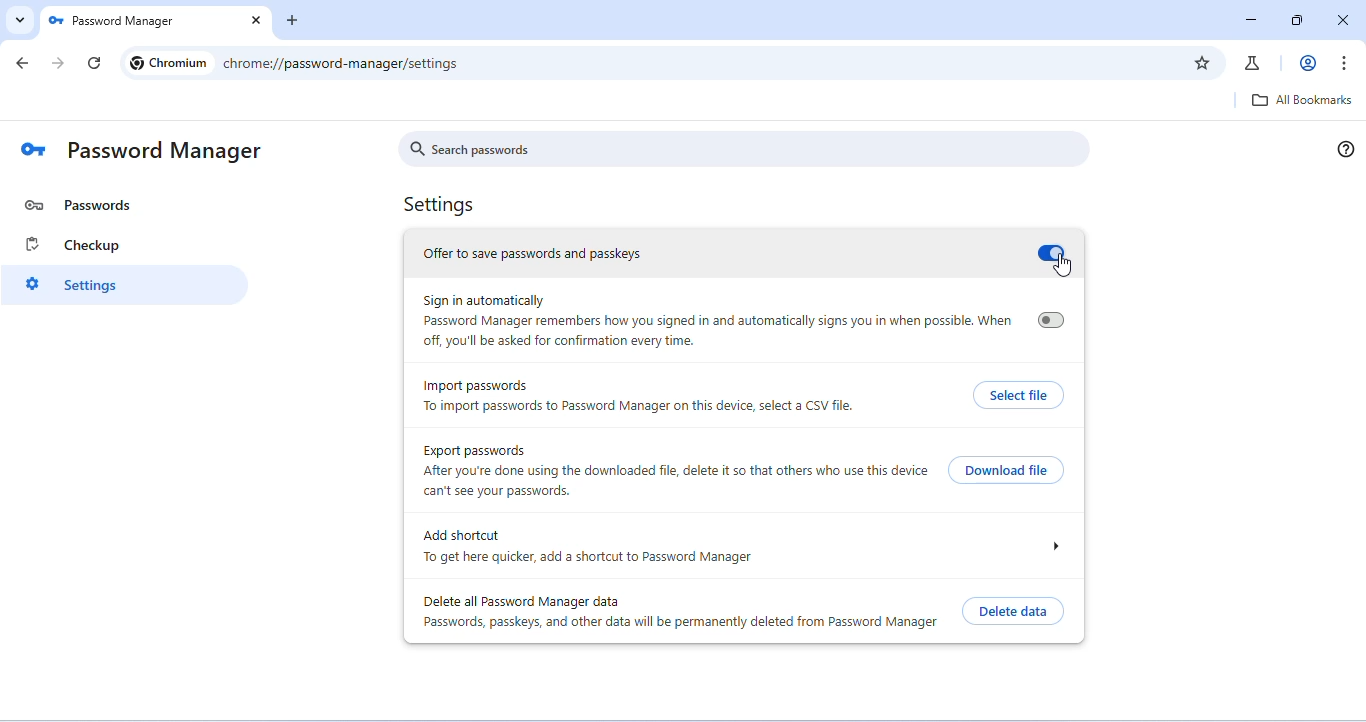 The height and width of the screenshot is (722, 1366). I want to click on drop down, so click(1055, 545).